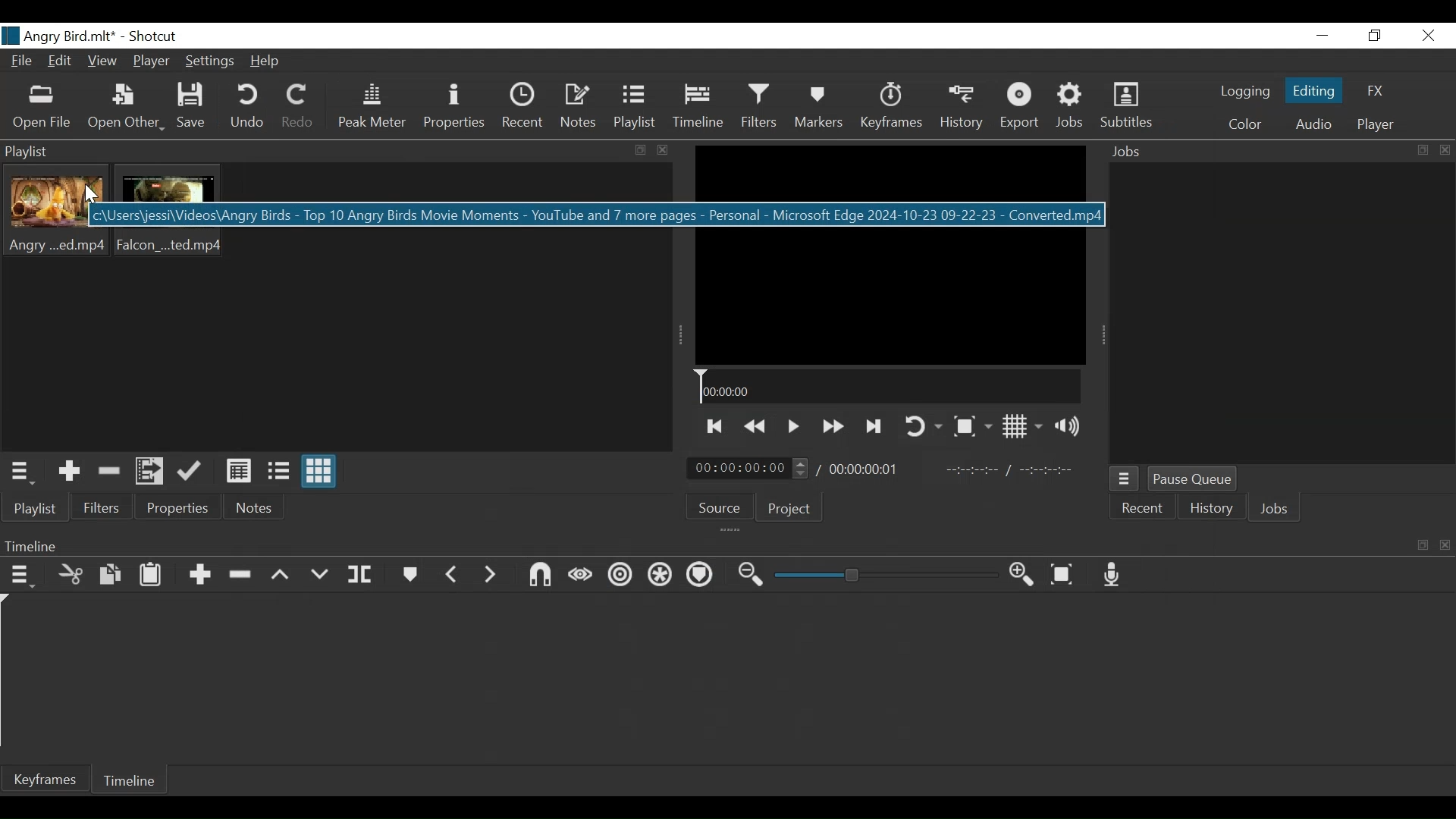 Image resolution: width=1456 pixels, height=819 pixels. I want to click on Timeline menu, so click(21, 577).